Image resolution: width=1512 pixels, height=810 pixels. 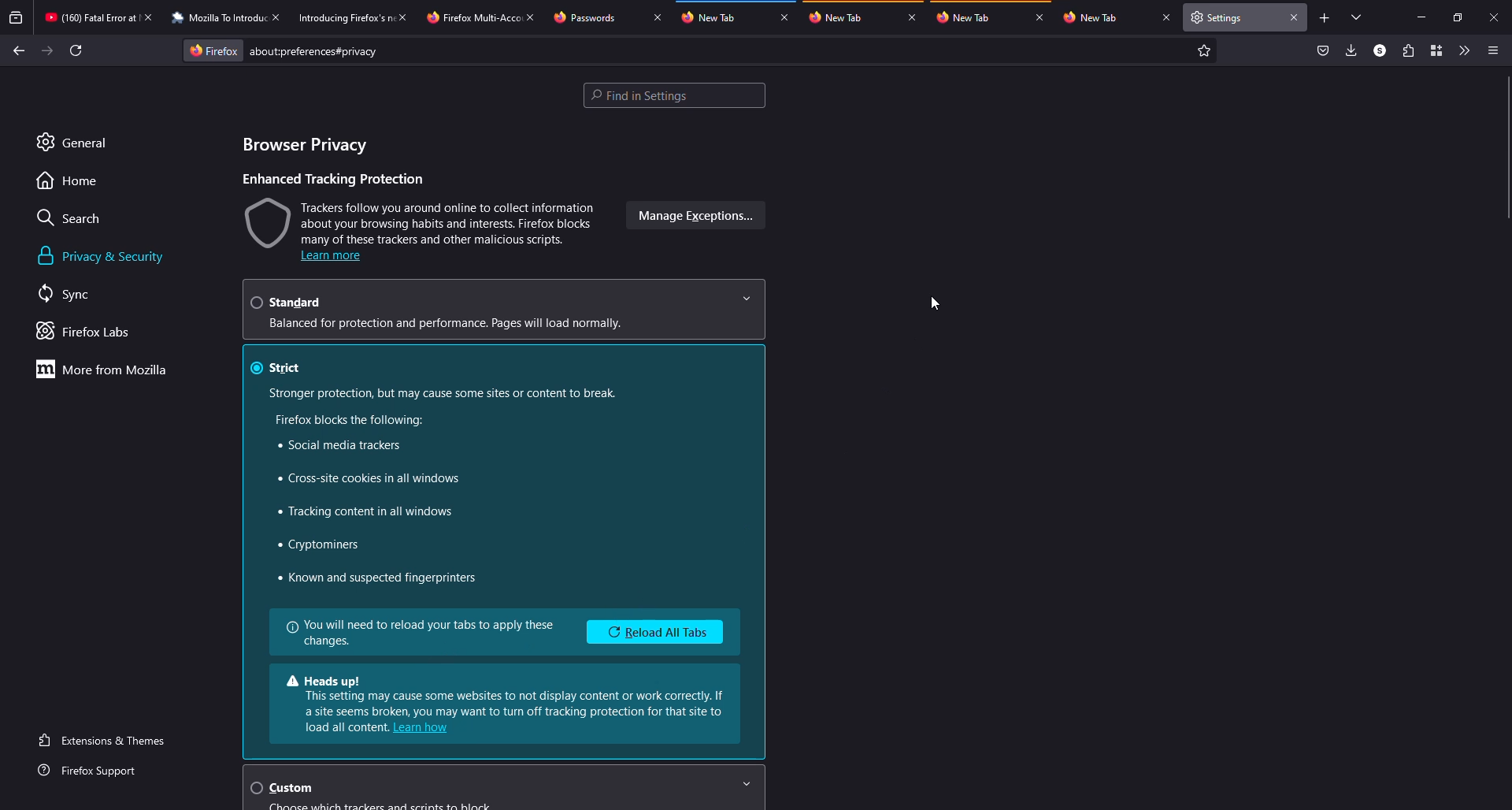 I want to click on tab, so click(x=709, y=17).